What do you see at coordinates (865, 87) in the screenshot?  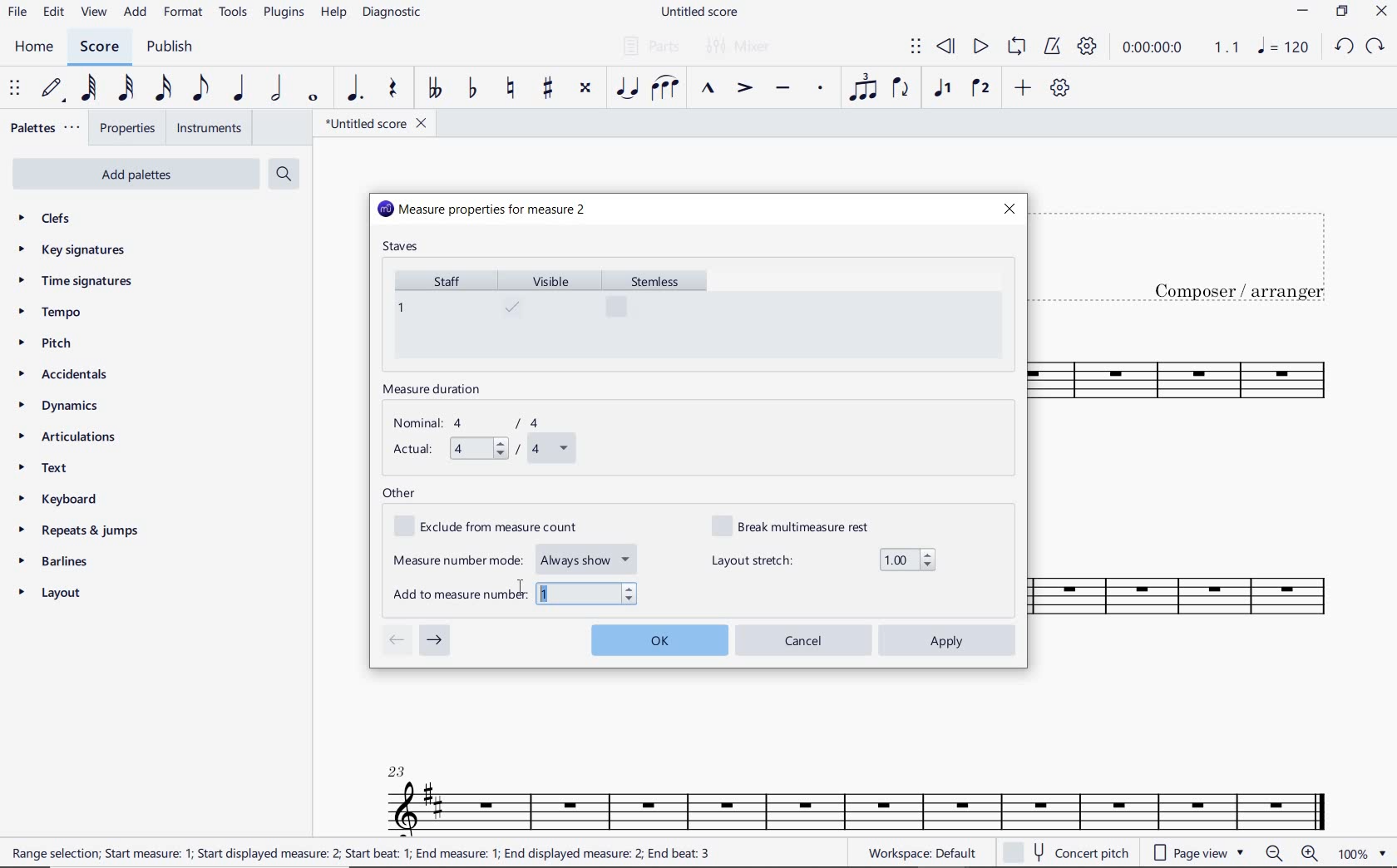 I see `TUPLET` at bounding box center [865, 87].